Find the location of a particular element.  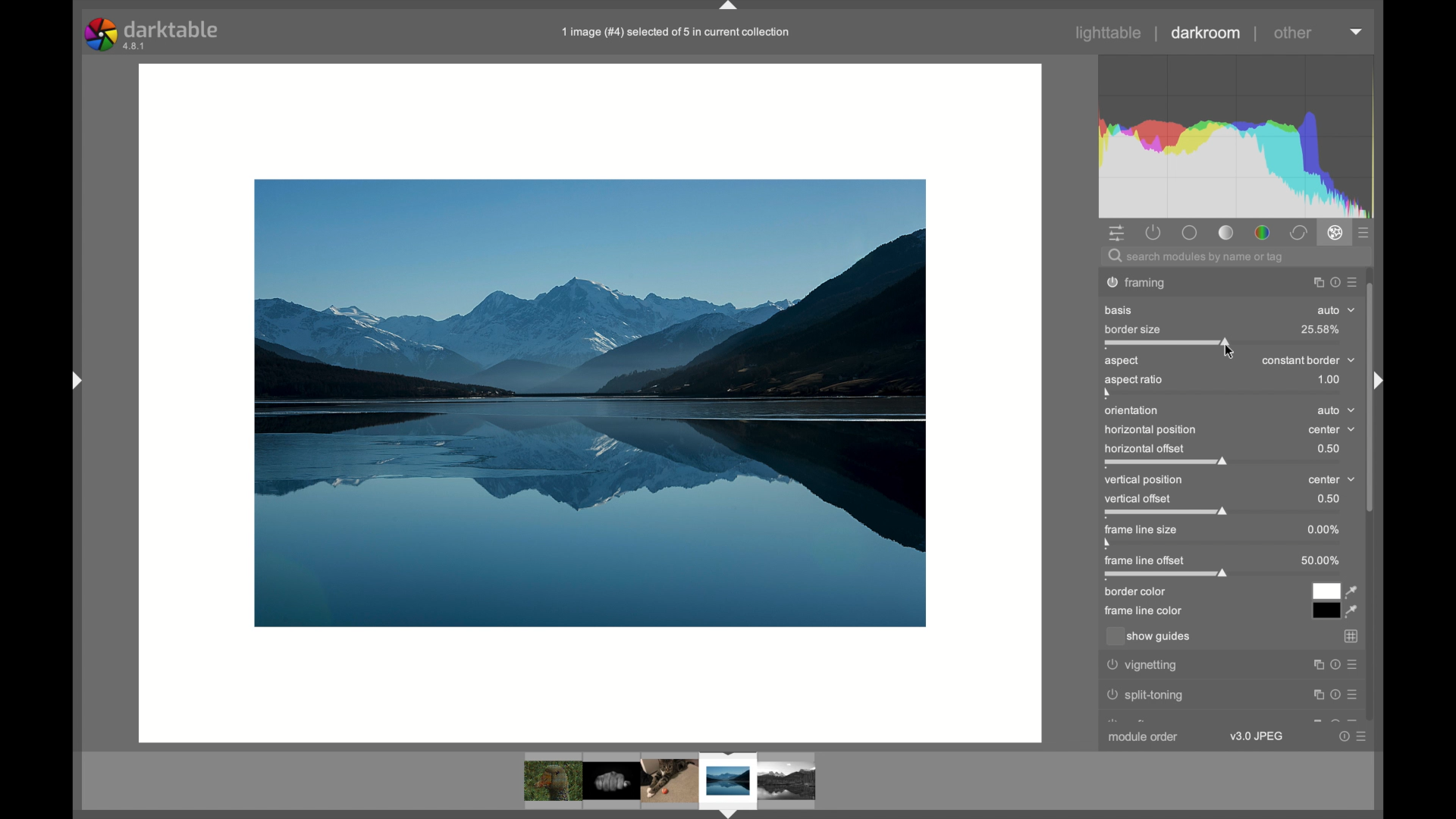

horizontal position is located at coordinates (1150, 431).